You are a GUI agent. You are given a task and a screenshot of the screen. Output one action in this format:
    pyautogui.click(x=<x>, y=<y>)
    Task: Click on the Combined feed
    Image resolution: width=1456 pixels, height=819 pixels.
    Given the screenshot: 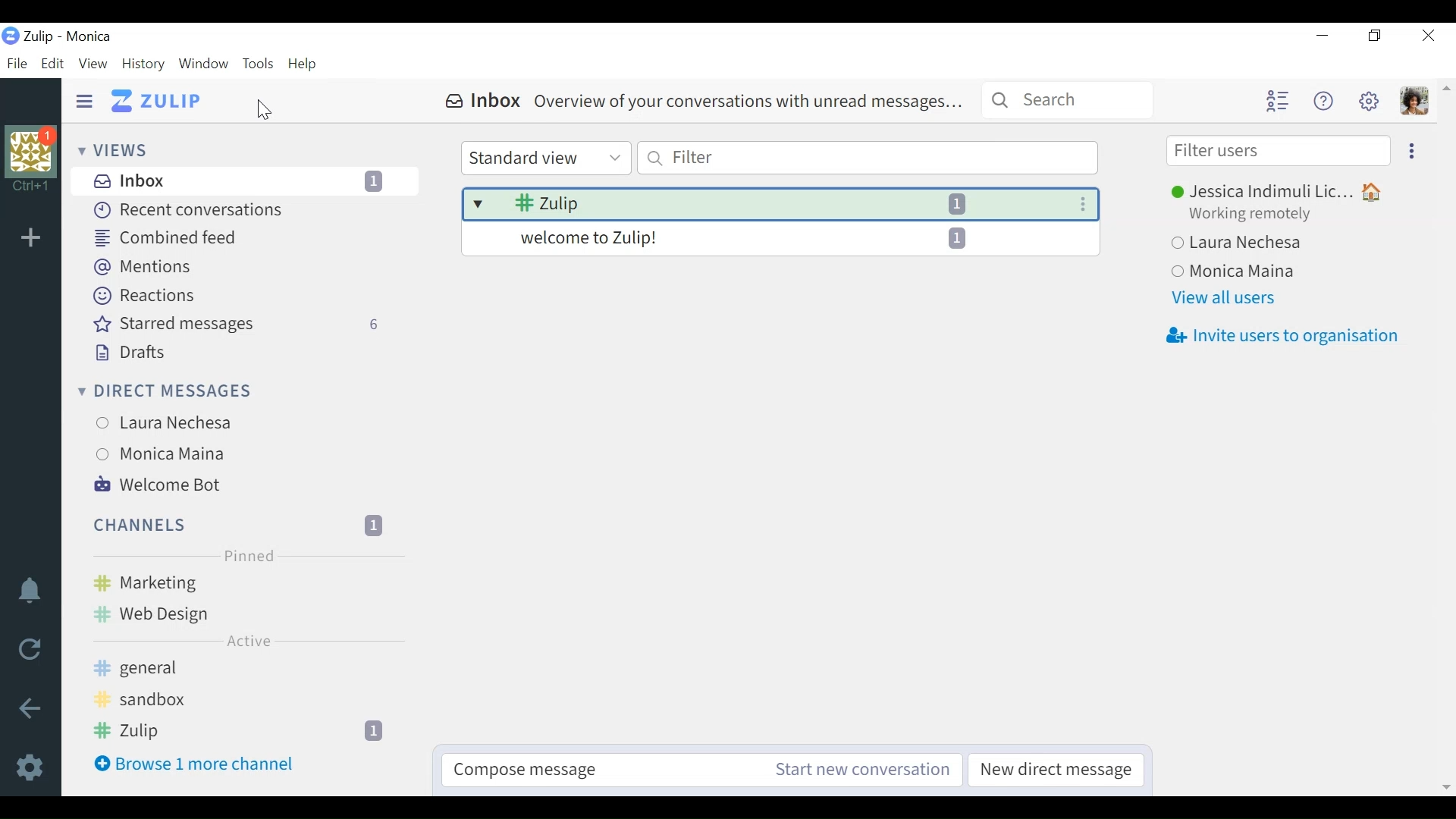 What is the action you would take?
    pyautogui.click(x=165, y=239)
    